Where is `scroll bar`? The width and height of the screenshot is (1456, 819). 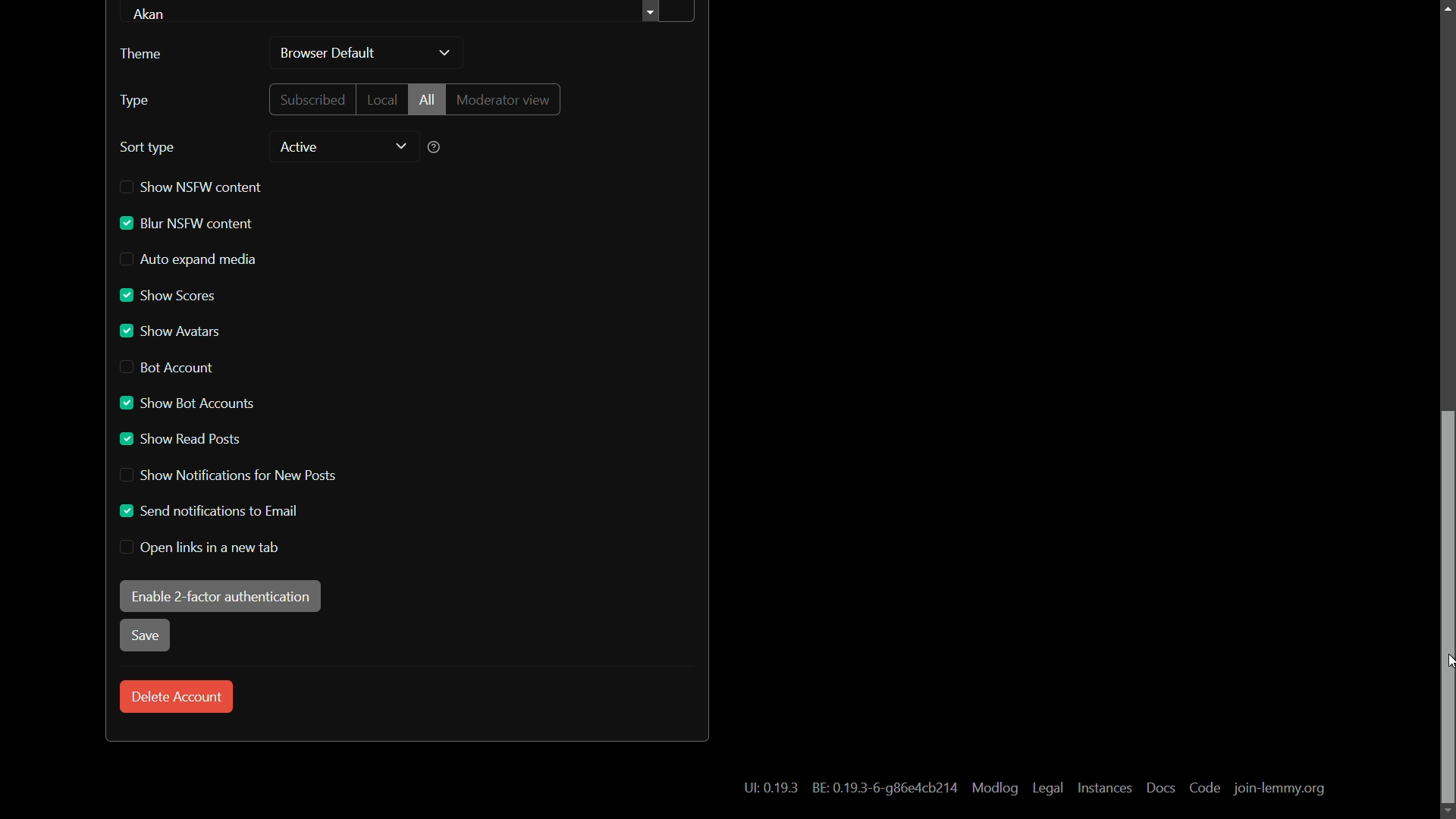 scroll bar is located at coordinates (1447, 608).